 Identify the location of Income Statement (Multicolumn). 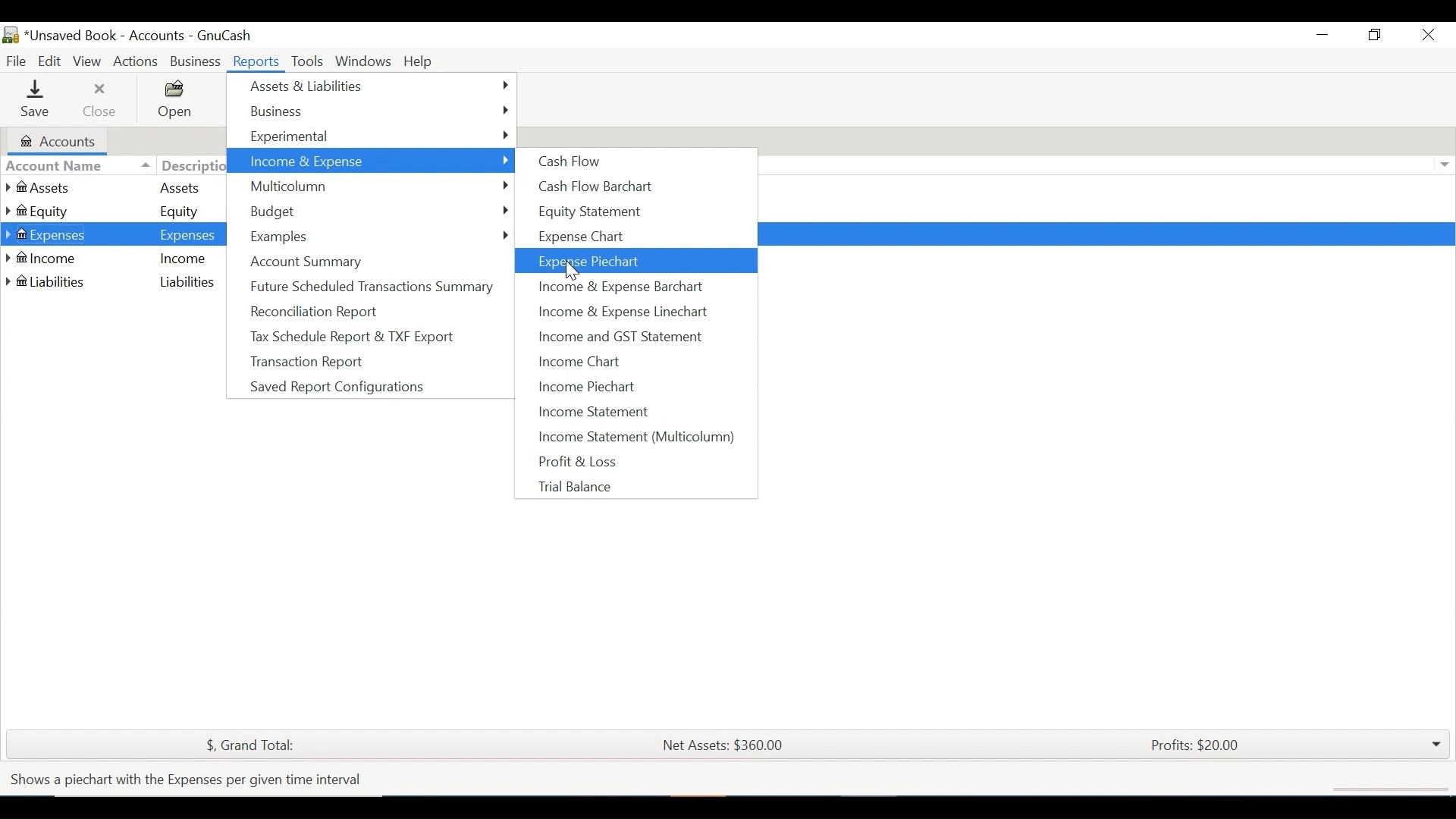
(635, 437).